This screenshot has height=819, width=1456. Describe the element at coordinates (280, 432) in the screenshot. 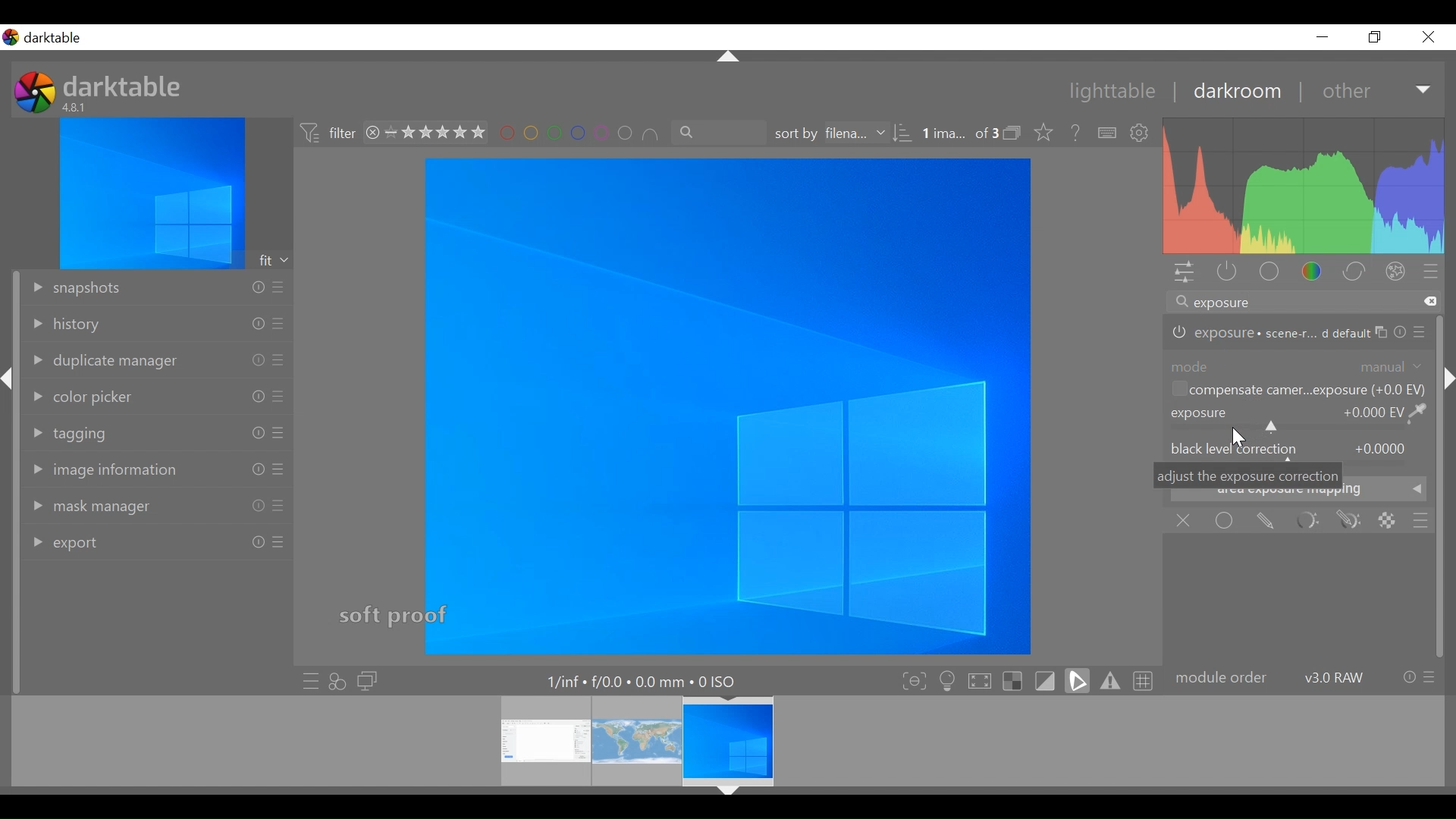

I see `presets` at that location.